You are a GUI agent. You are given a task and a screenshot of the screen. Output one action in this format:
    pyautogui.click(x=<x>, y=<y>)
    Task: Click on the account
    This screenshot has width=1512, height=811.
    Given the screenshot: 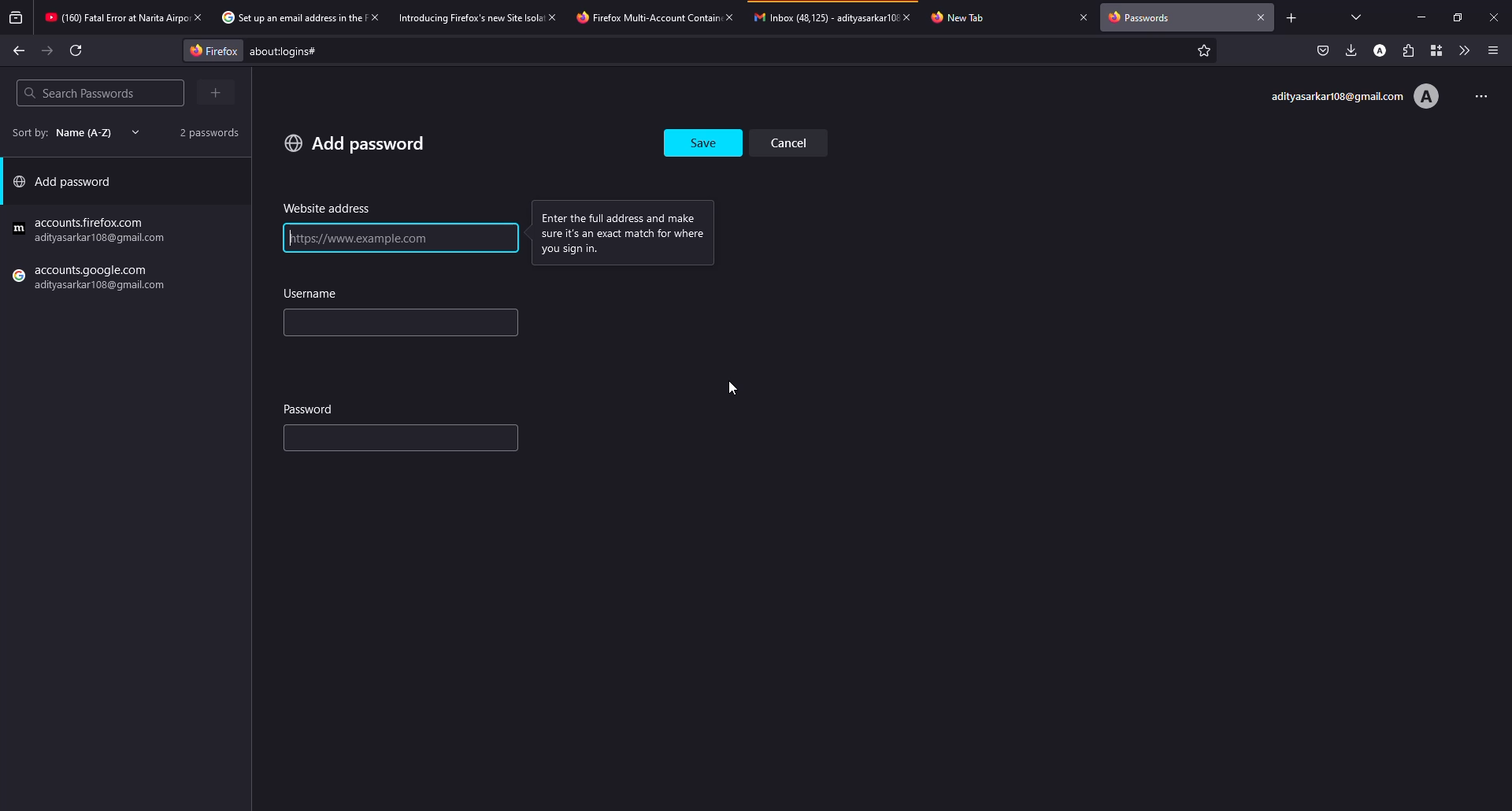 What is the action you would take?
    pyautogui.click(x=1382, y=50)
    